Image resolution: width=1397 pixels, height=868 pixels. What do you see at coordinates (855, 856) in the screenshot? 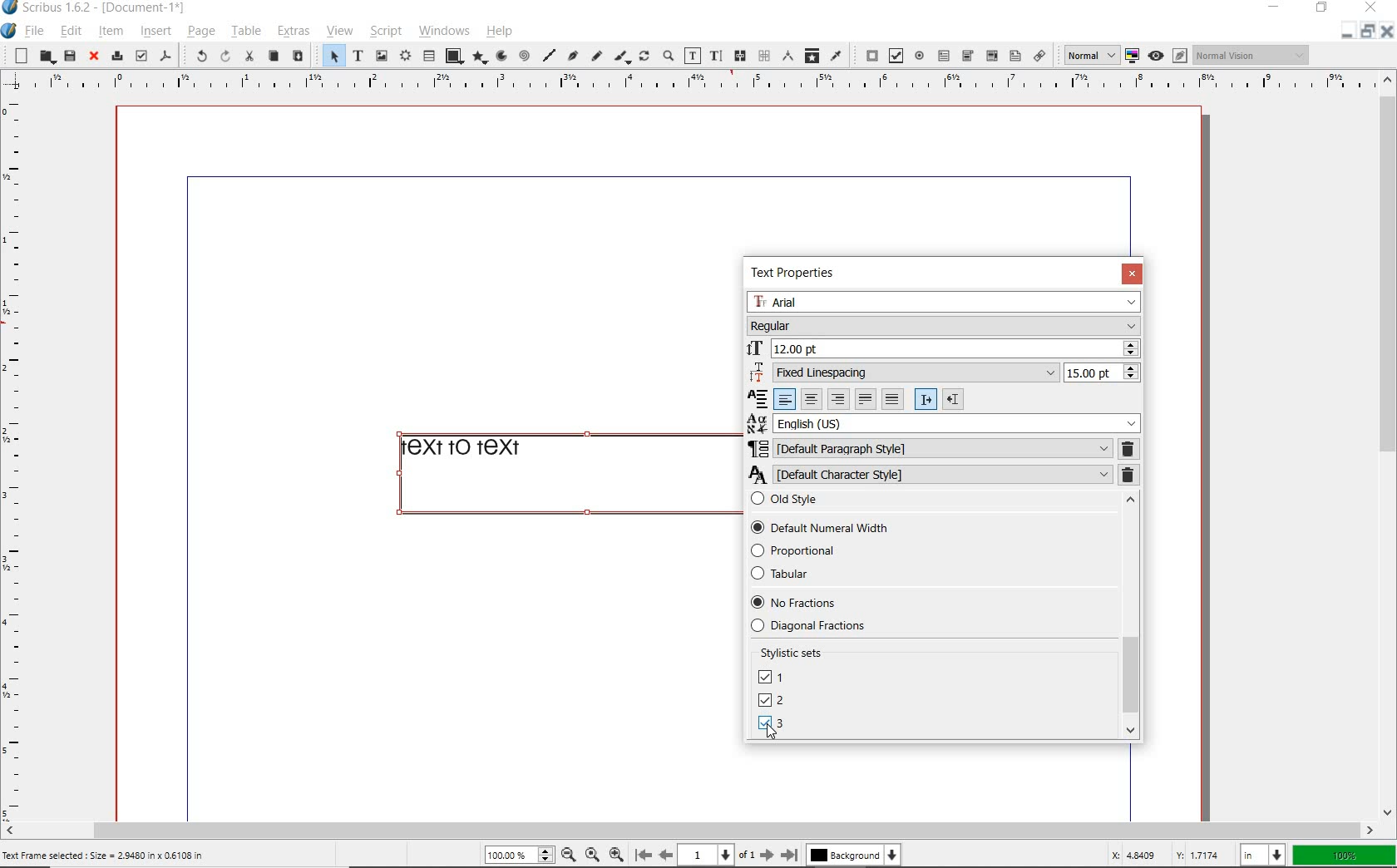
I see `Background` at bounding box center [855, 856].